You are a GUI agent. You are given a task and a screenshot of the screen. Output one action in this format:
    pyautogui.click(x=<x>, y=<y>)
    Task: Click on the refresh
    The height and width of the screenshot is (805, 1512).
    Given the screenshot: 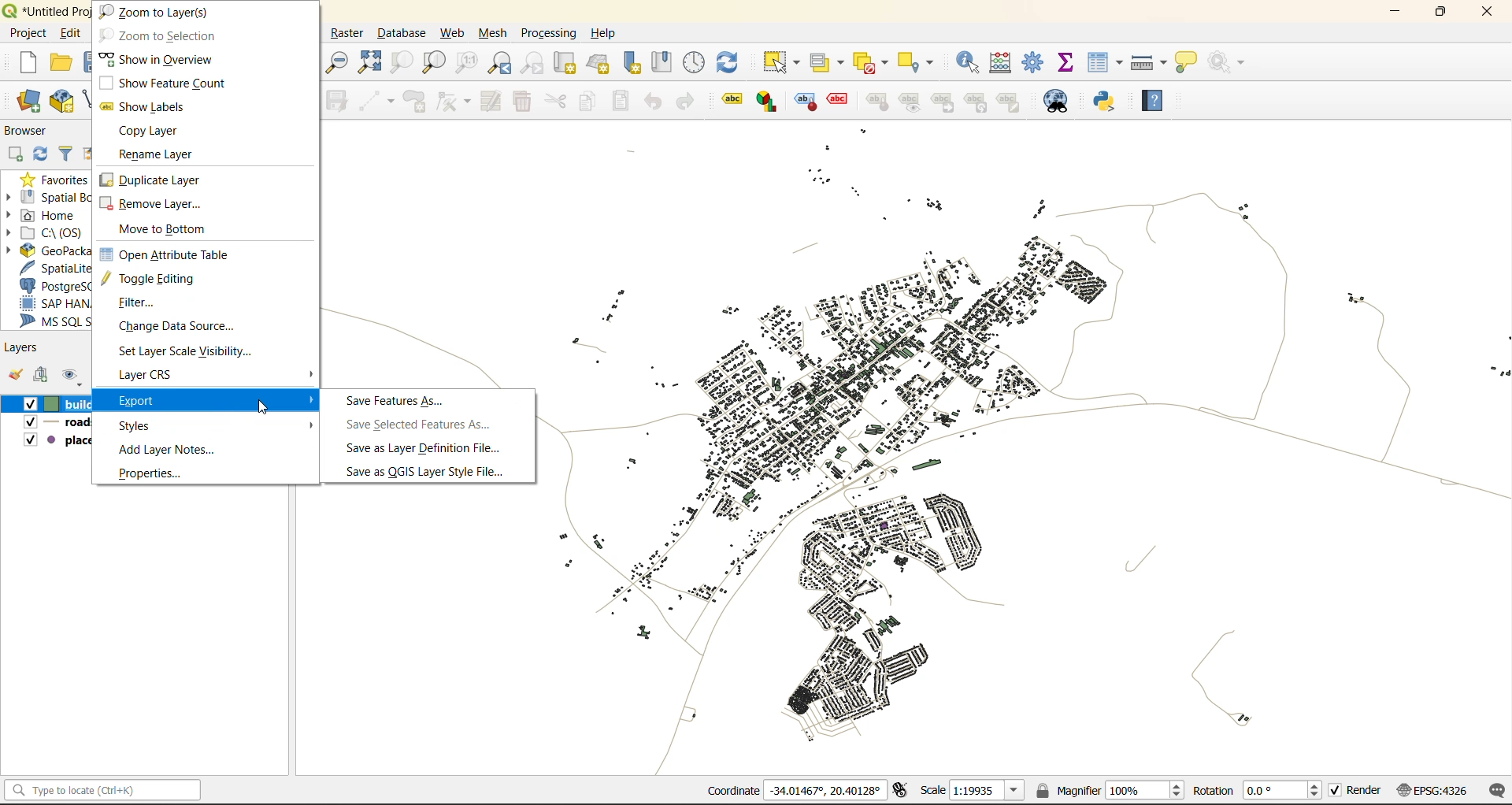 What is the action you would take?
    pyautogui.click(x=731, y=61)
    